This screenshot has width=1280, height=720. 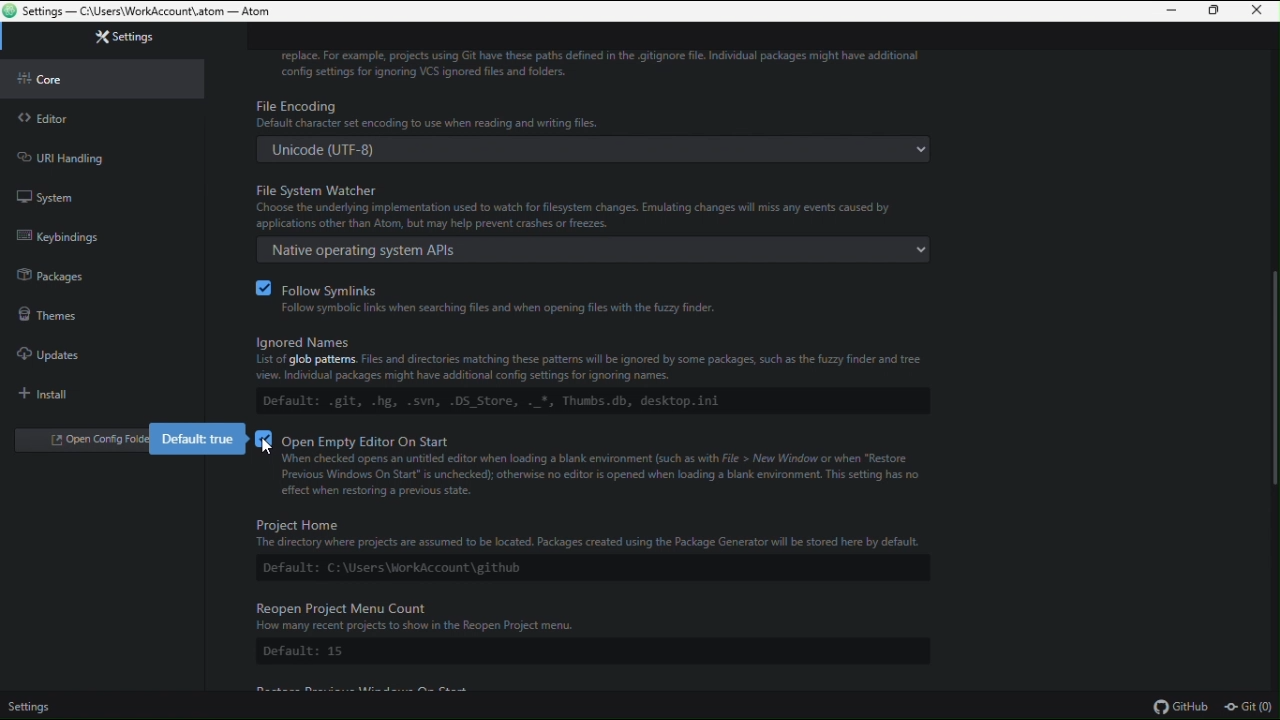 What do you see at coordinates (65, 273) in the screenshot?
I see `Packages` at bounding box center [65, 273].